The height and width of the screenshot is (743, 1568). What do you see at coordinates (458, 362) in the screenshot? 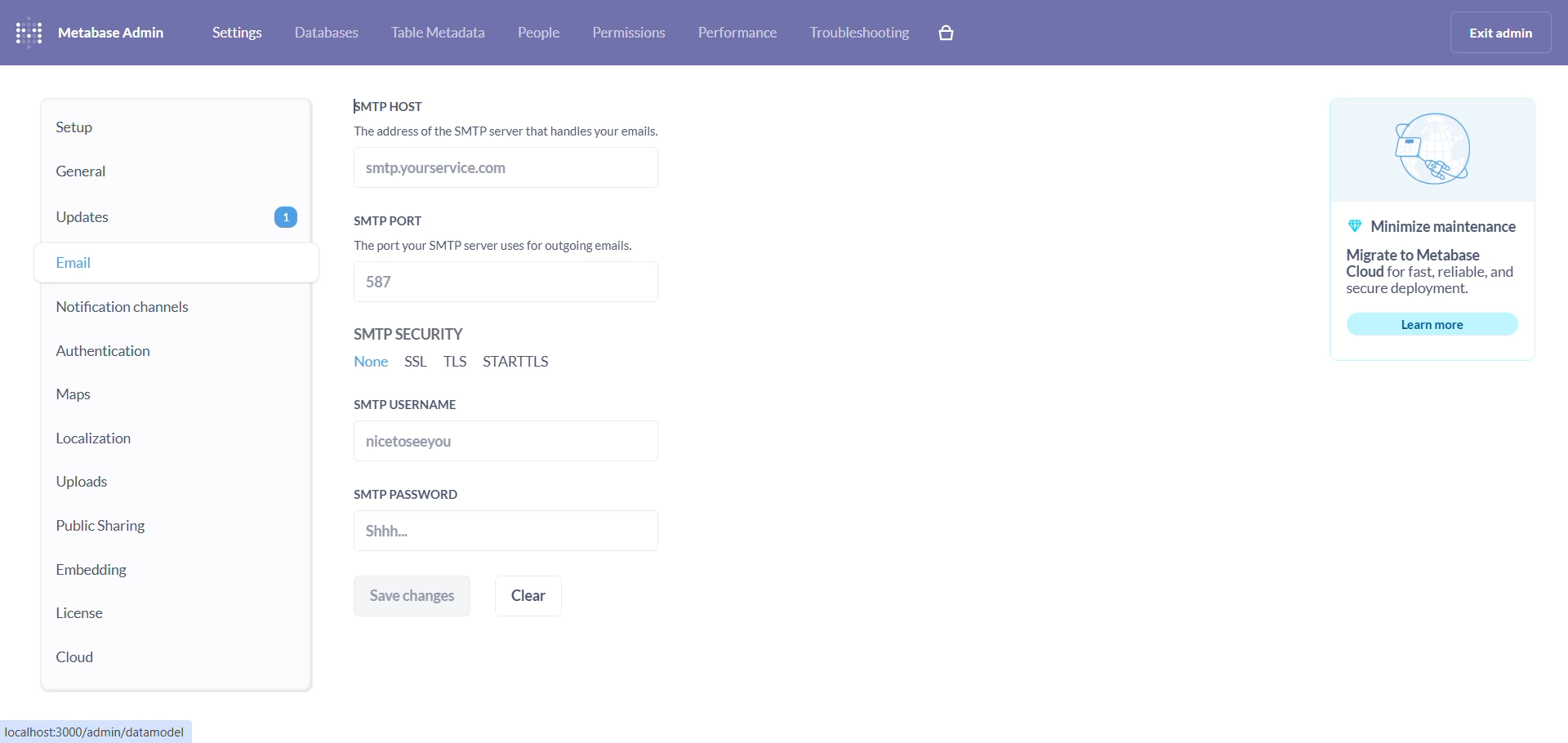
I see `TLS` at bounding box center [458, 362].